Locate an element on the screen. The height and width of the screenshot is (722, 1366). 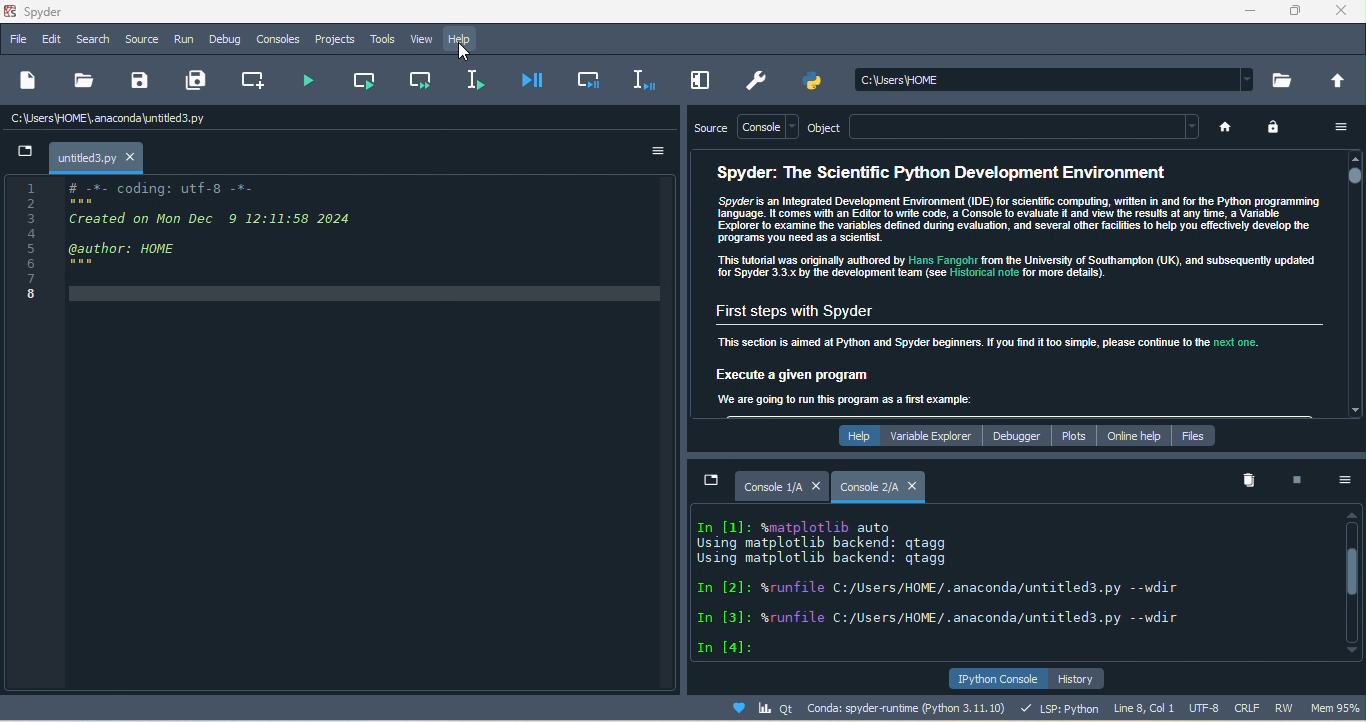
Console 1/A is located at coordinates (773, 487).